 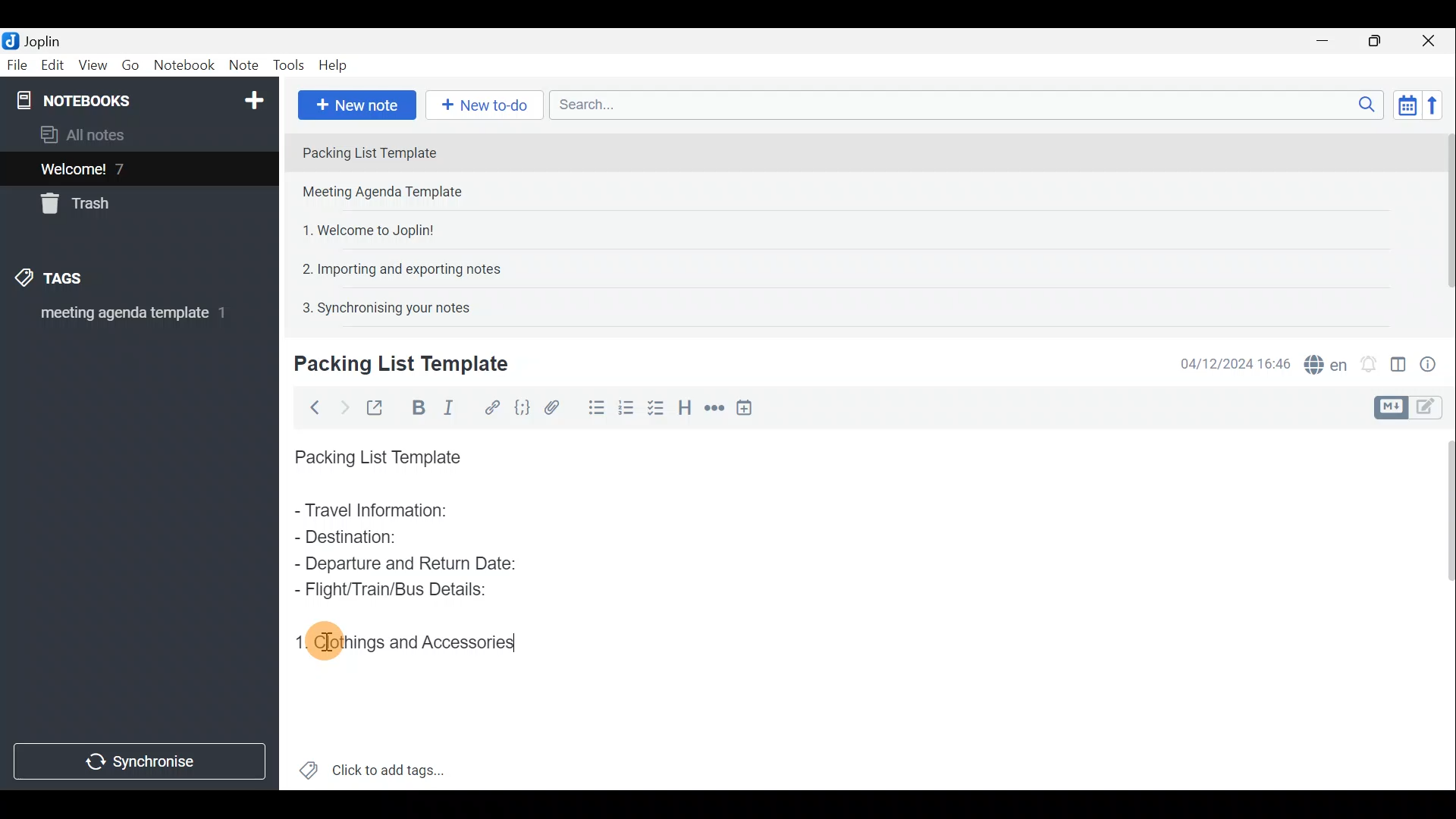 I want to click on Go, so click(x=131, y=65).